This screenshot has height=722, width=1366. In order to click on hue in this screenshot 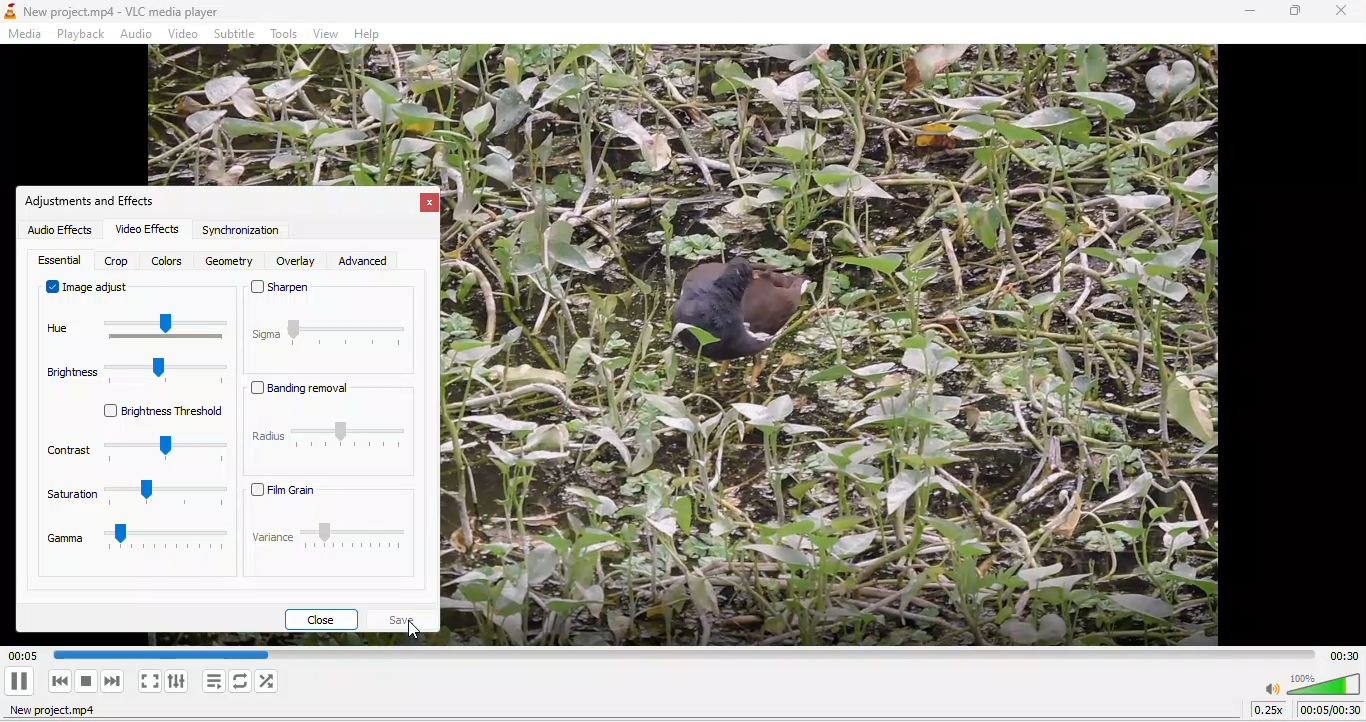, I will do `click(136, 331)`.